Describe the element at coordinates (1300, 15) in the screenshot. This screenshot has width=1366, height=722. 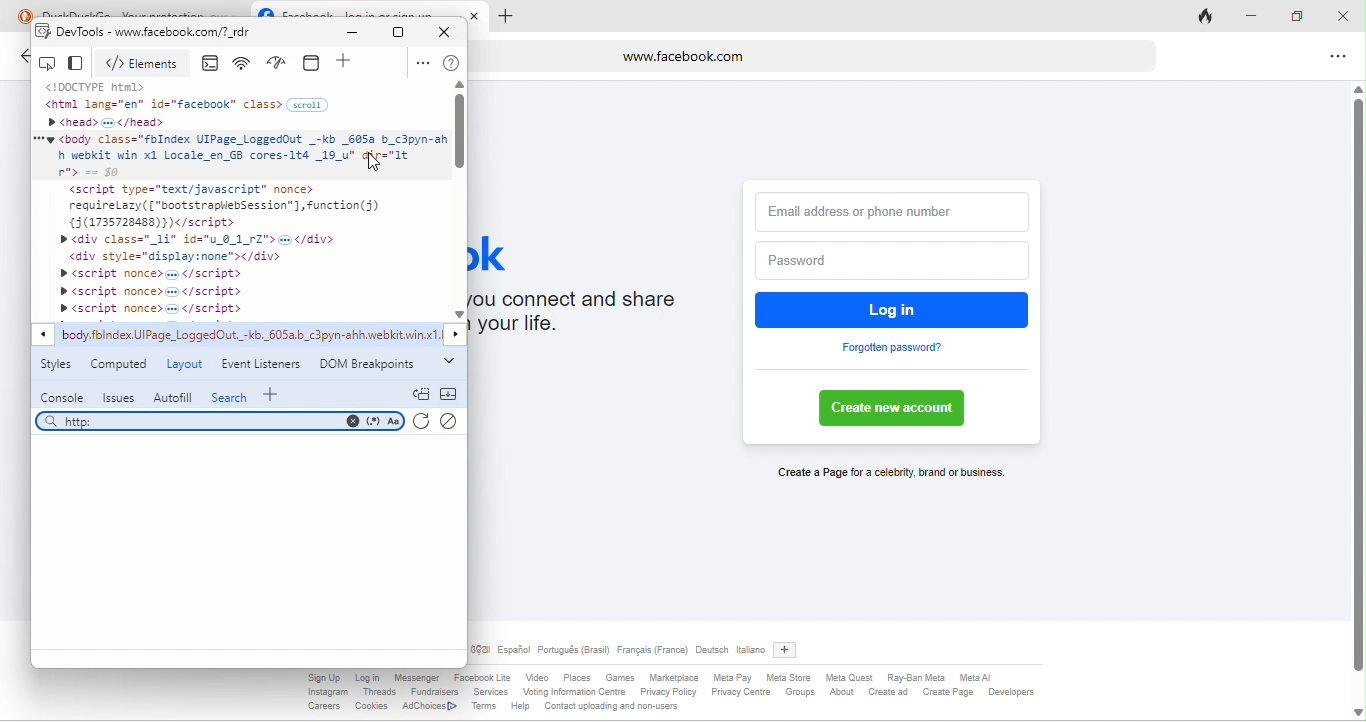
I see `maximize` at that location.